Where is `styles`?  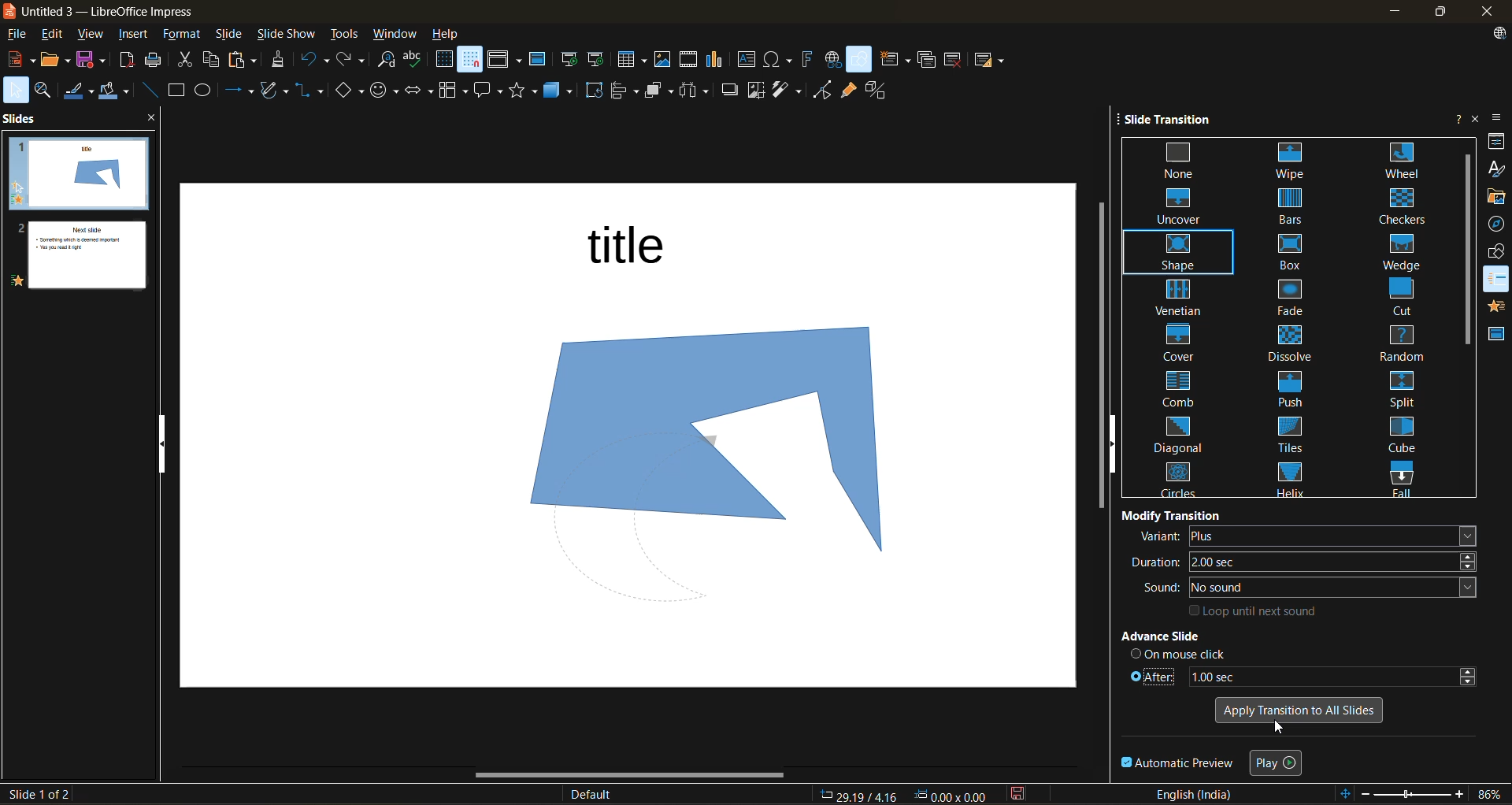
styles is located at coordinates (1495, 169).